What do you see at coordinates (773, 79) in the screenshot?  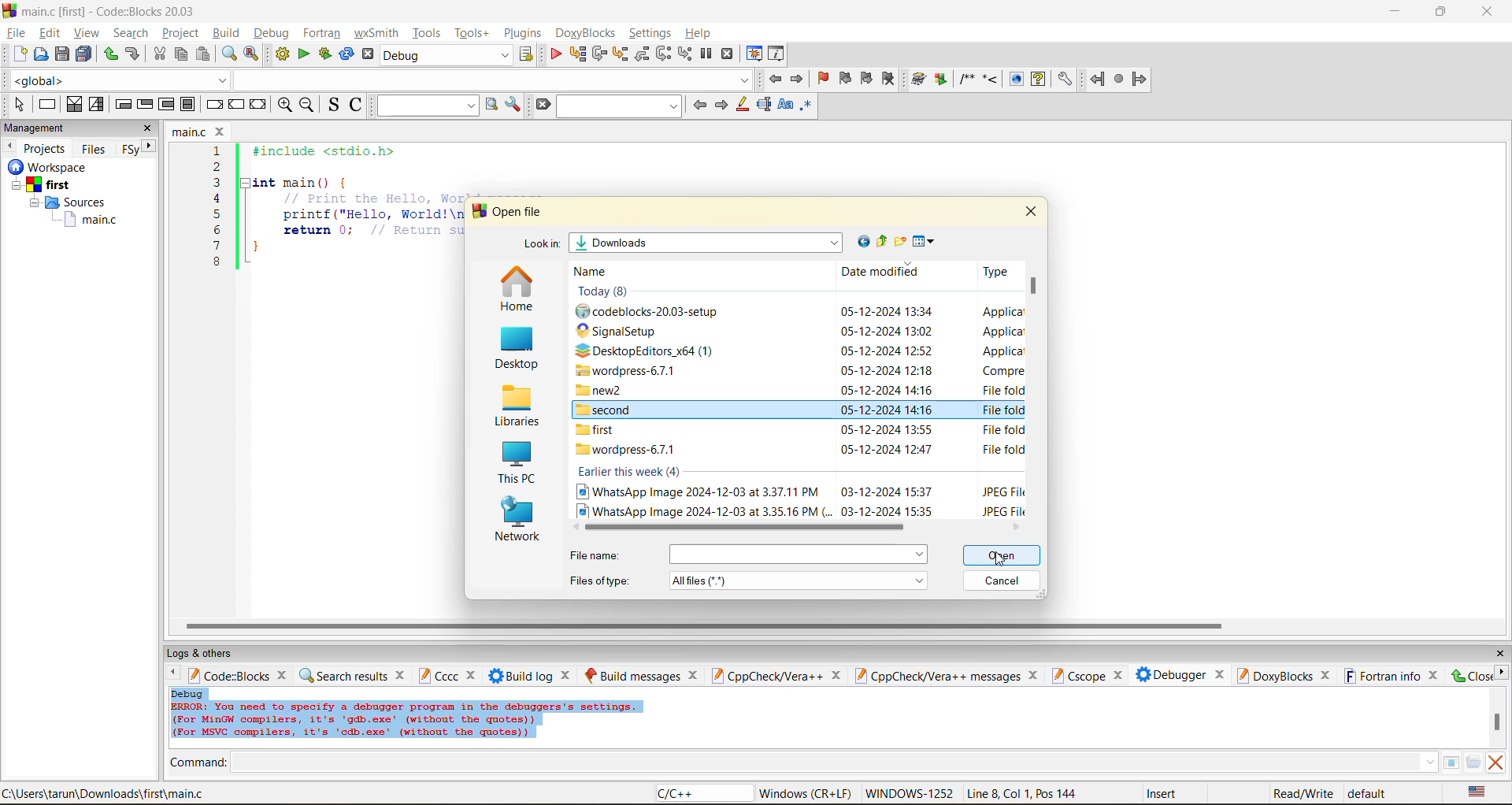 I see `jump back` at bounding box center [773, 79].